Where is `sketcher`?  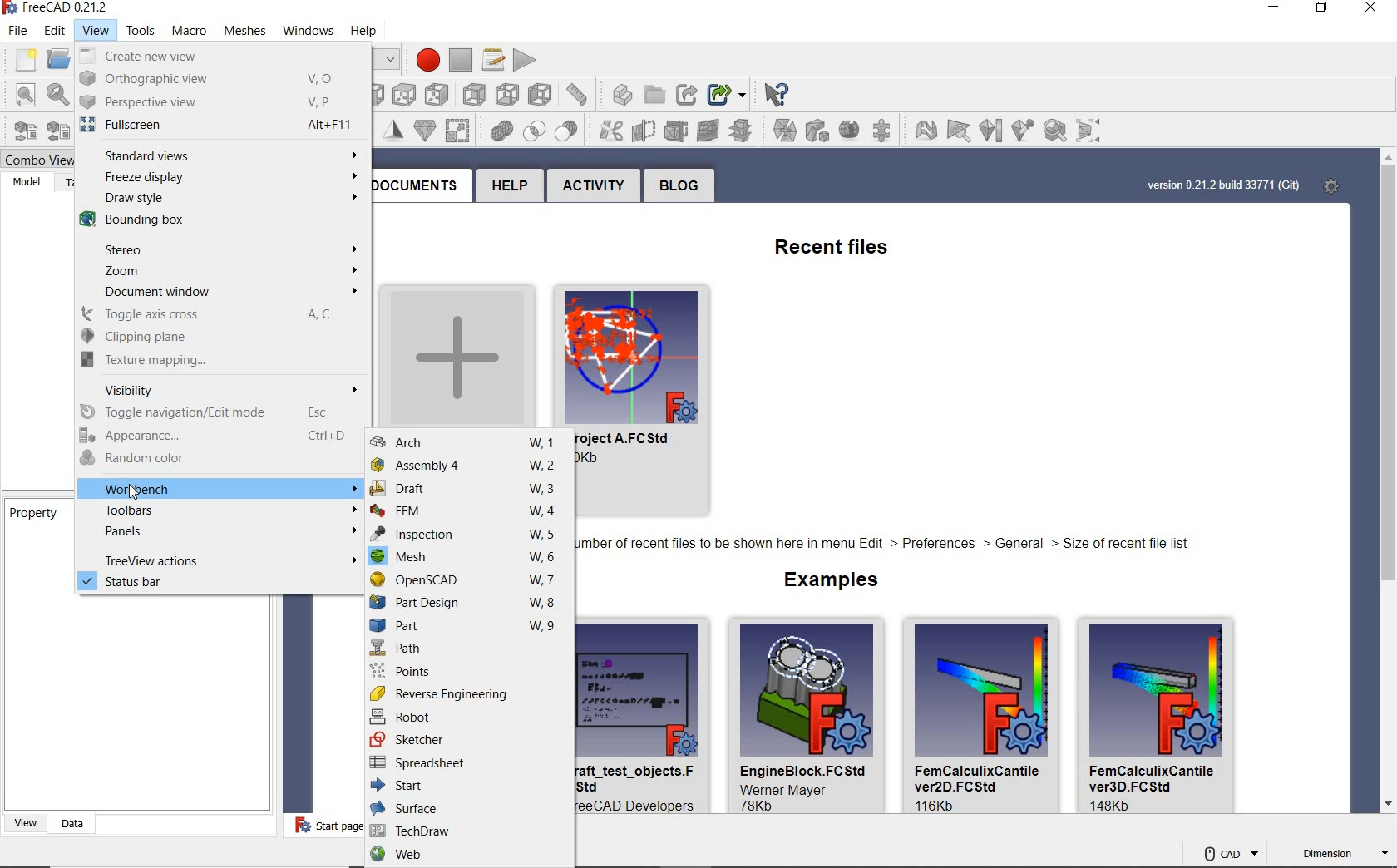 sketcher is located at coordinates (469, 739).